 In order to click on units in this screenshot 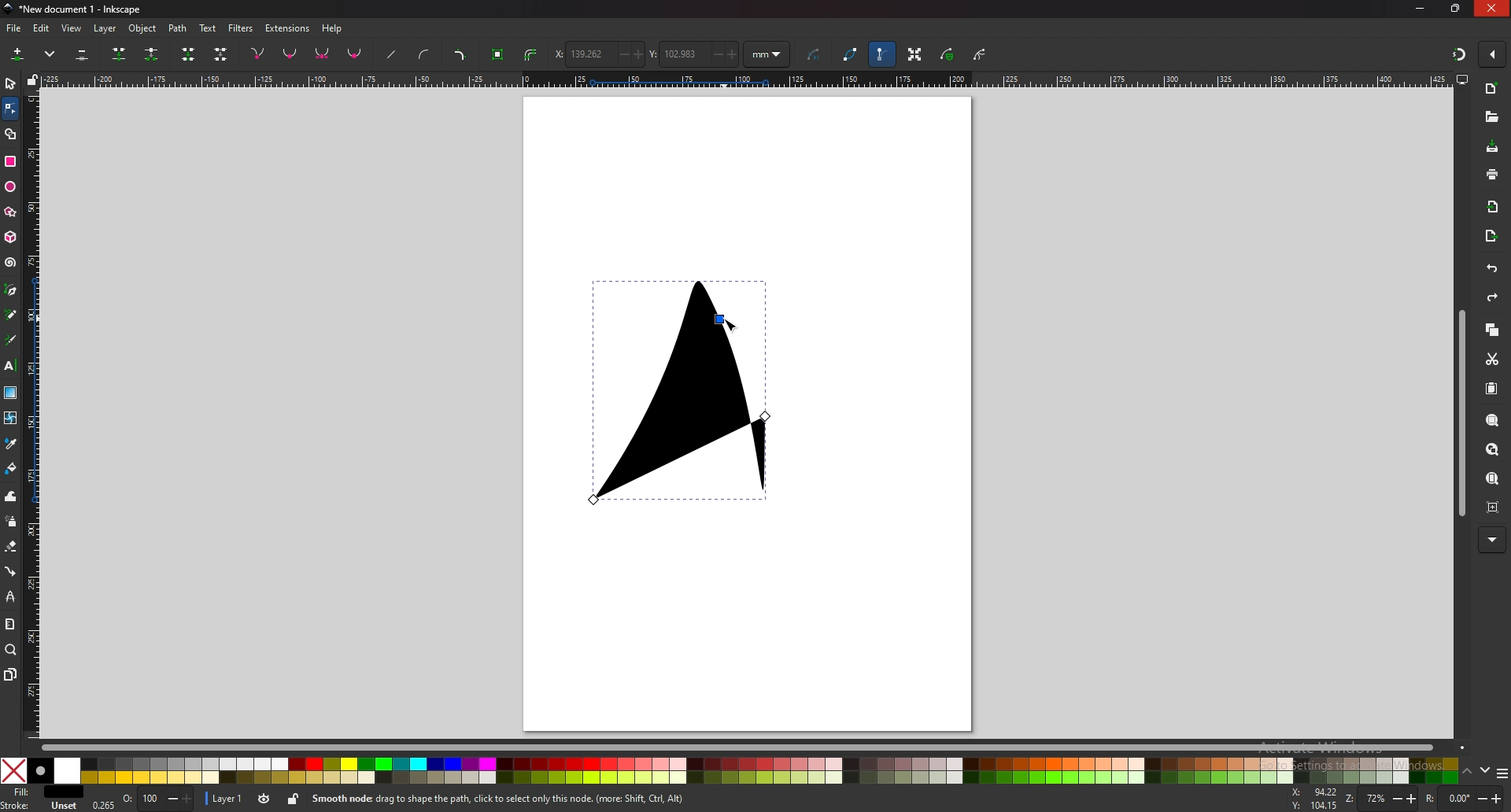, I will do `click(767, 54)`.